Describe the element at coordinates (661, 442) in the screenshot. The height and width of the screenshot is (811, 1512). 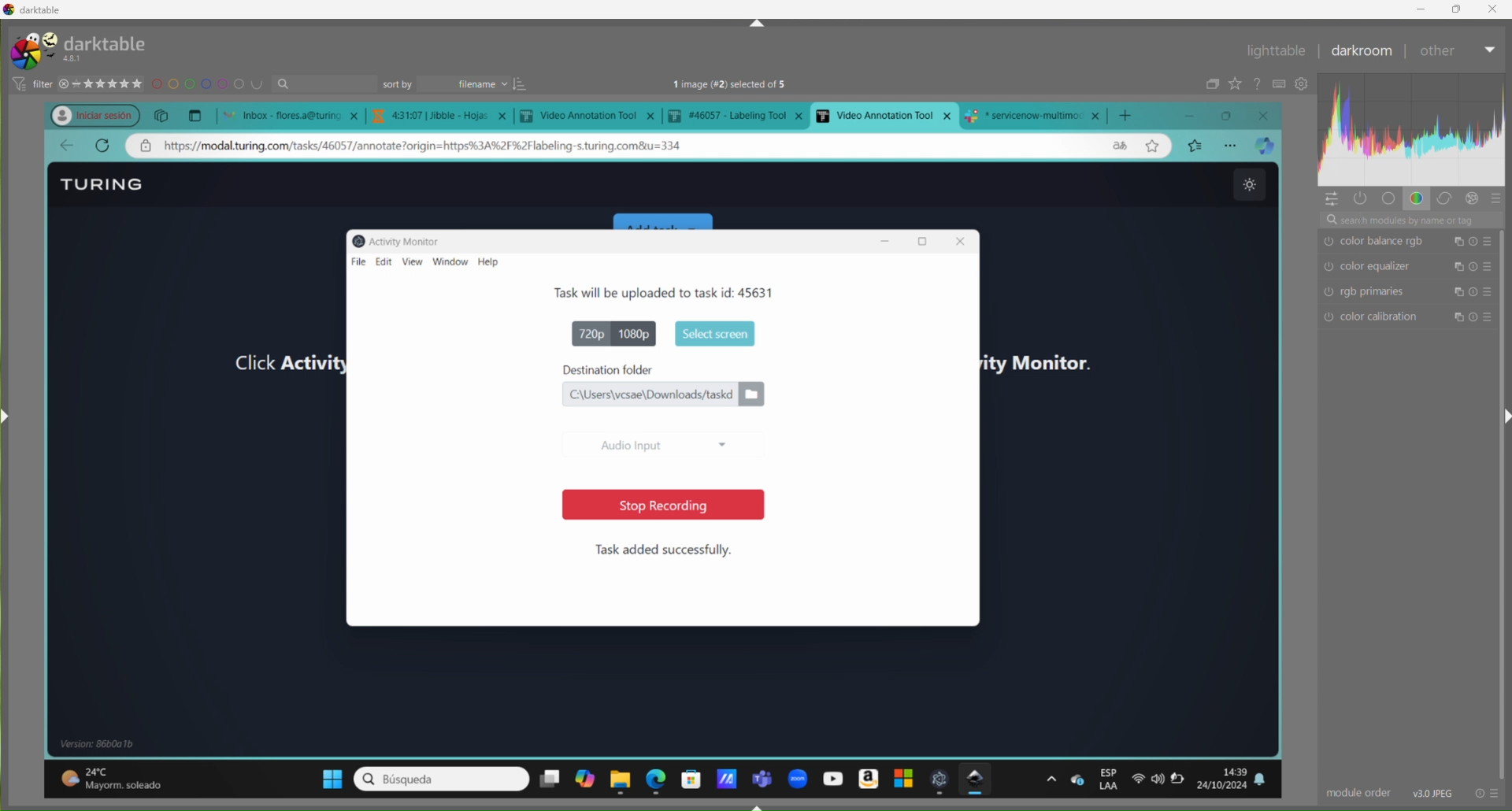
I see `Audio input` at that location.